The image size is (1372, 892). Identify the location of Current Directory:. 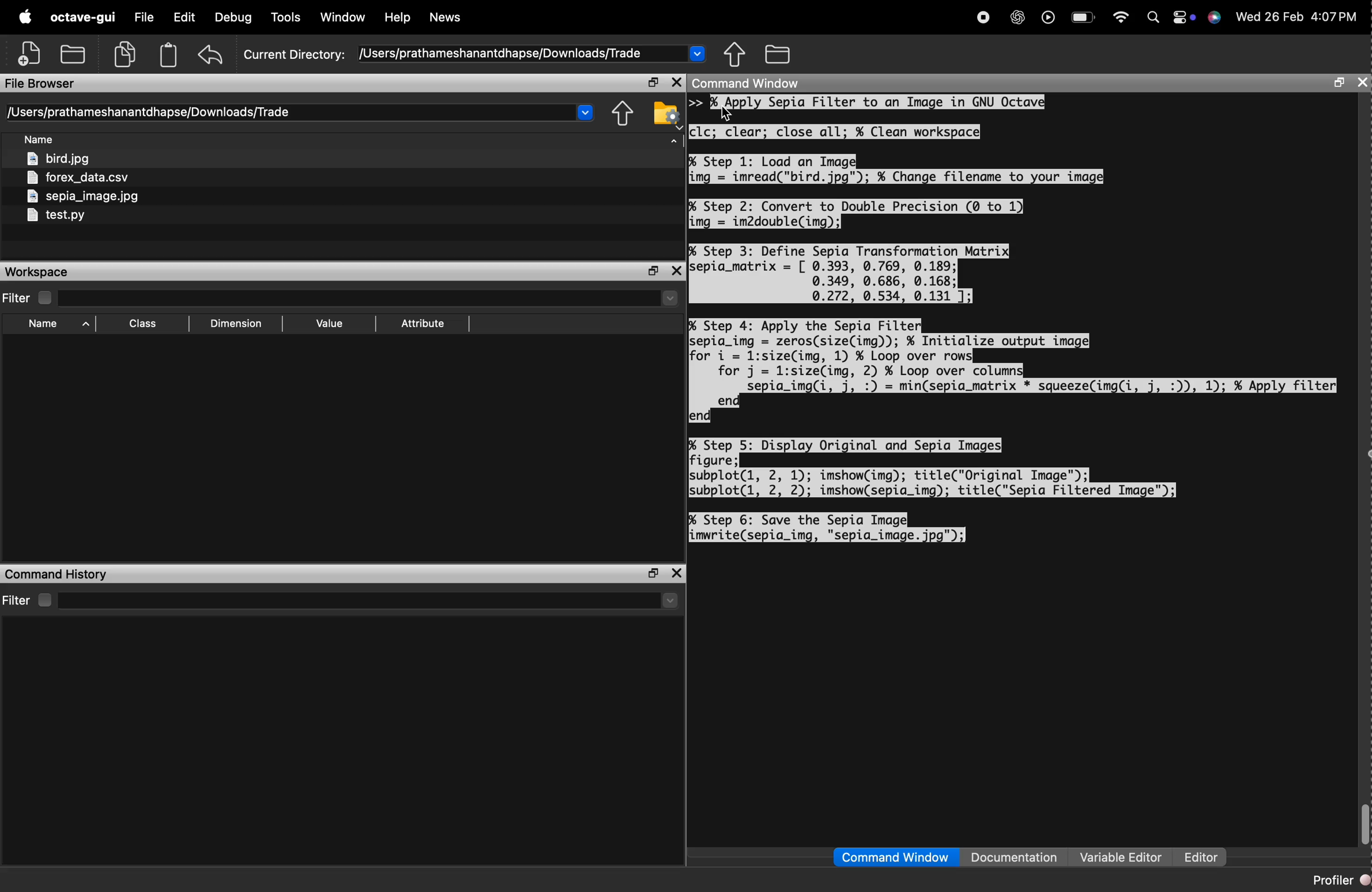
(293, 55).